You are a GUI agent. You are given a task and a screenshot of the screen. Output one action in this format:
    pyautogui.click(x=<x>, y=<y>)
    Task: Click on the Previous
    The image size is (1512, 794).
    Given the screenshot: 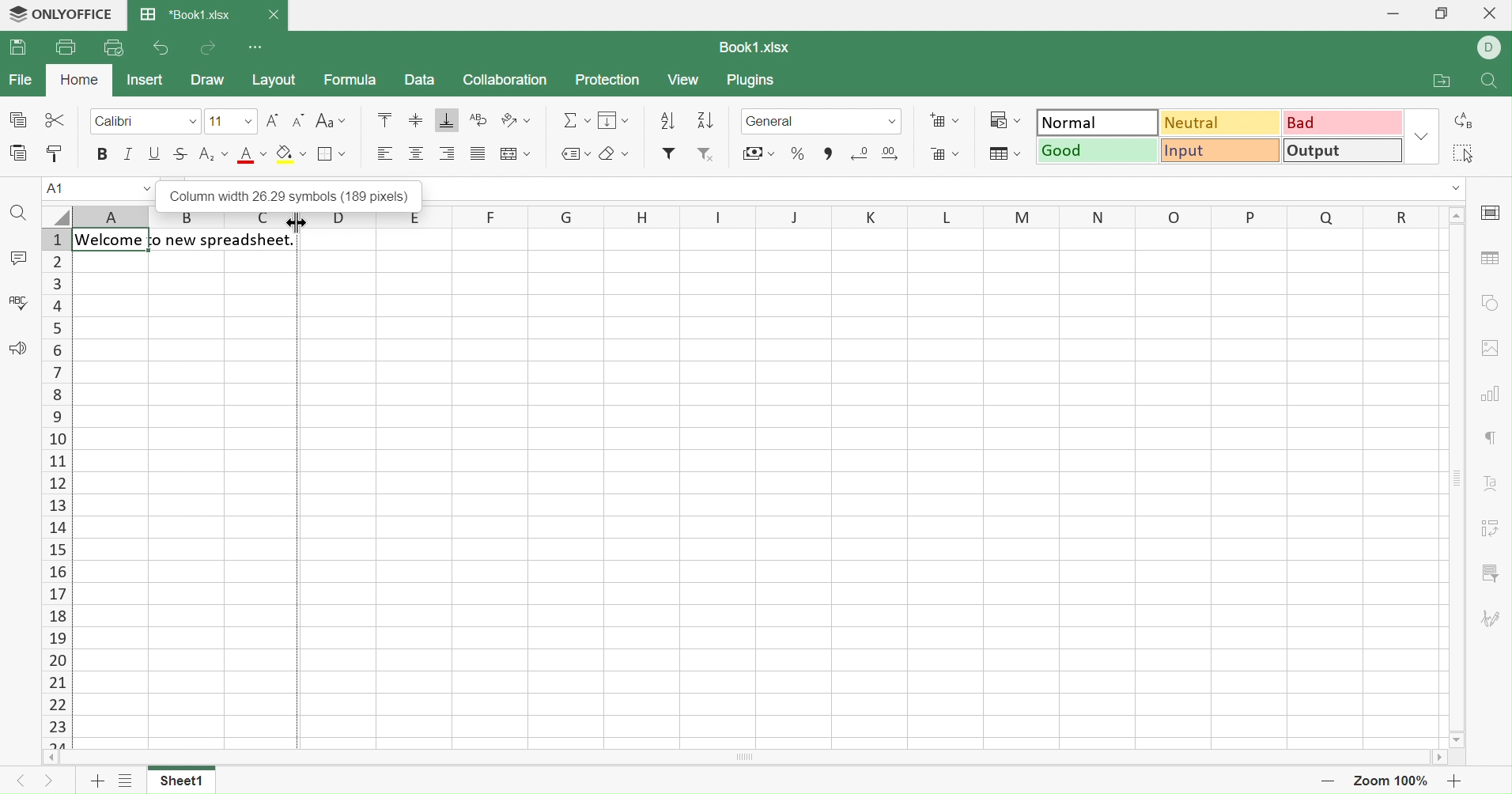 What is the action you would take?
    pyautogui.click(x=18, y=781)
    